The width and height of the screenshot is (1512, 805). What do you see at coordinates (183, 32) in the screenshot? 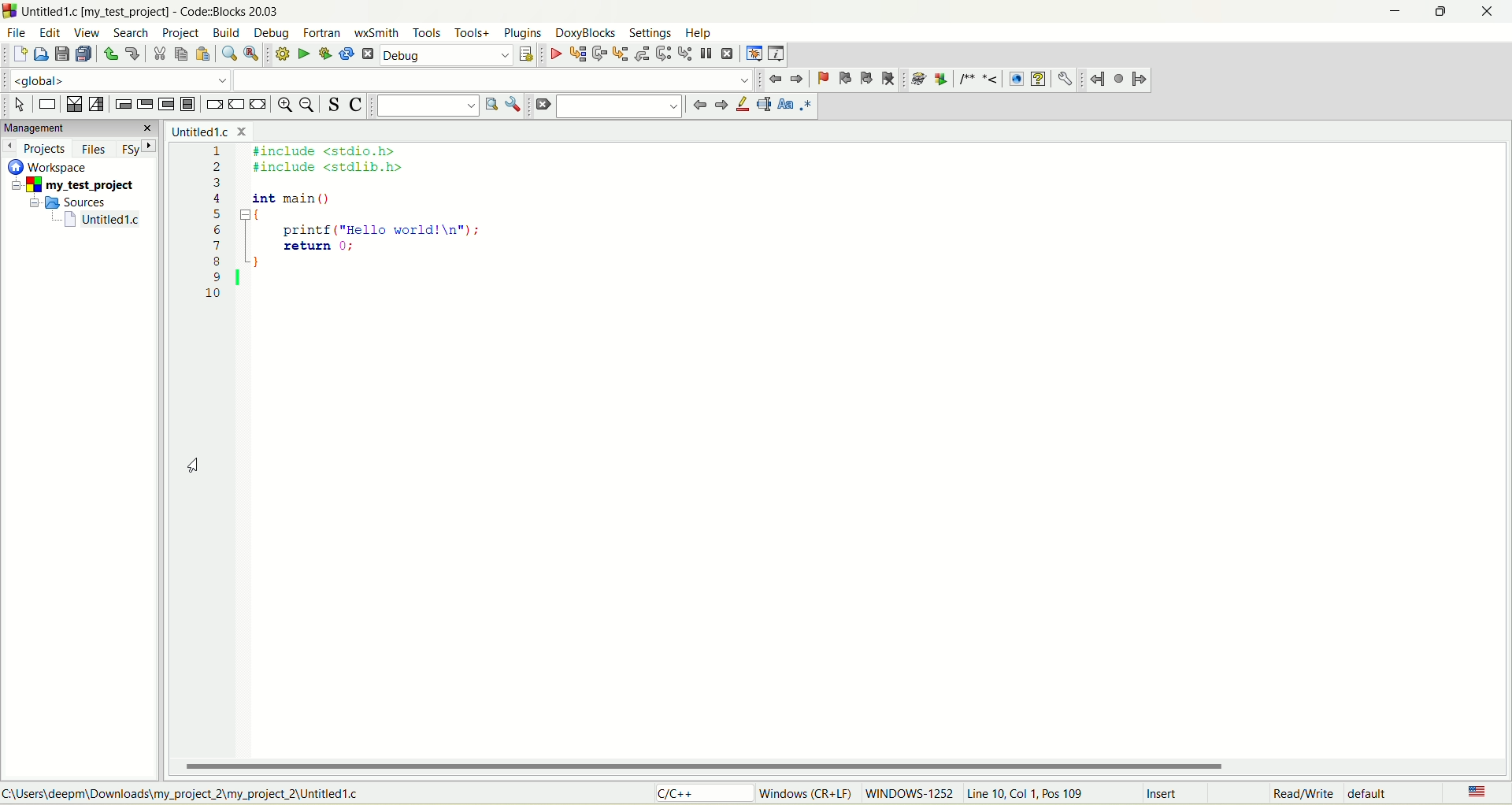
I see `project` at bounding box center [183, 32].